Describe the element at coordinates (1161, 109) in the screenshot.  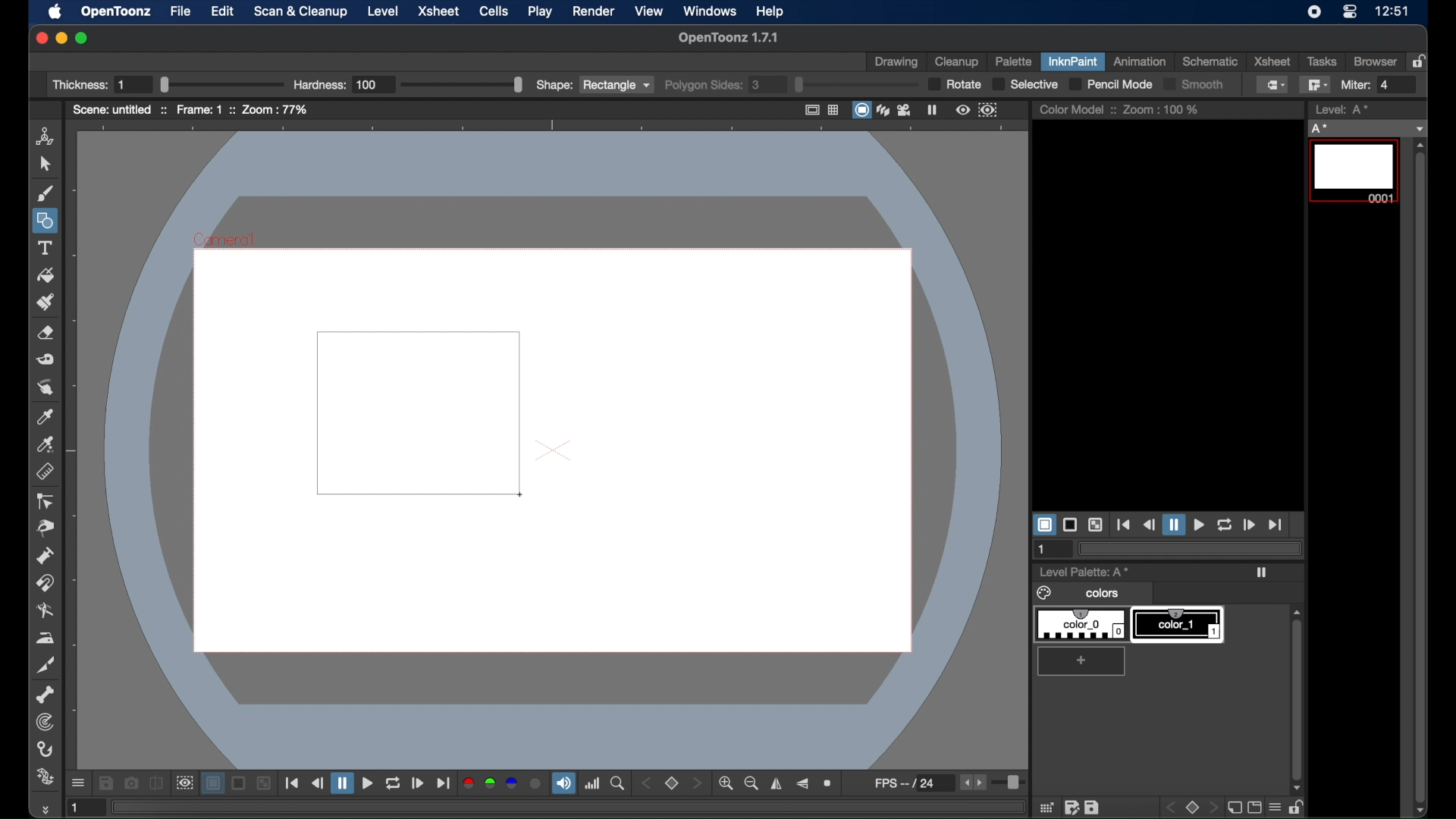
I see `zoom : 100%` at that location.